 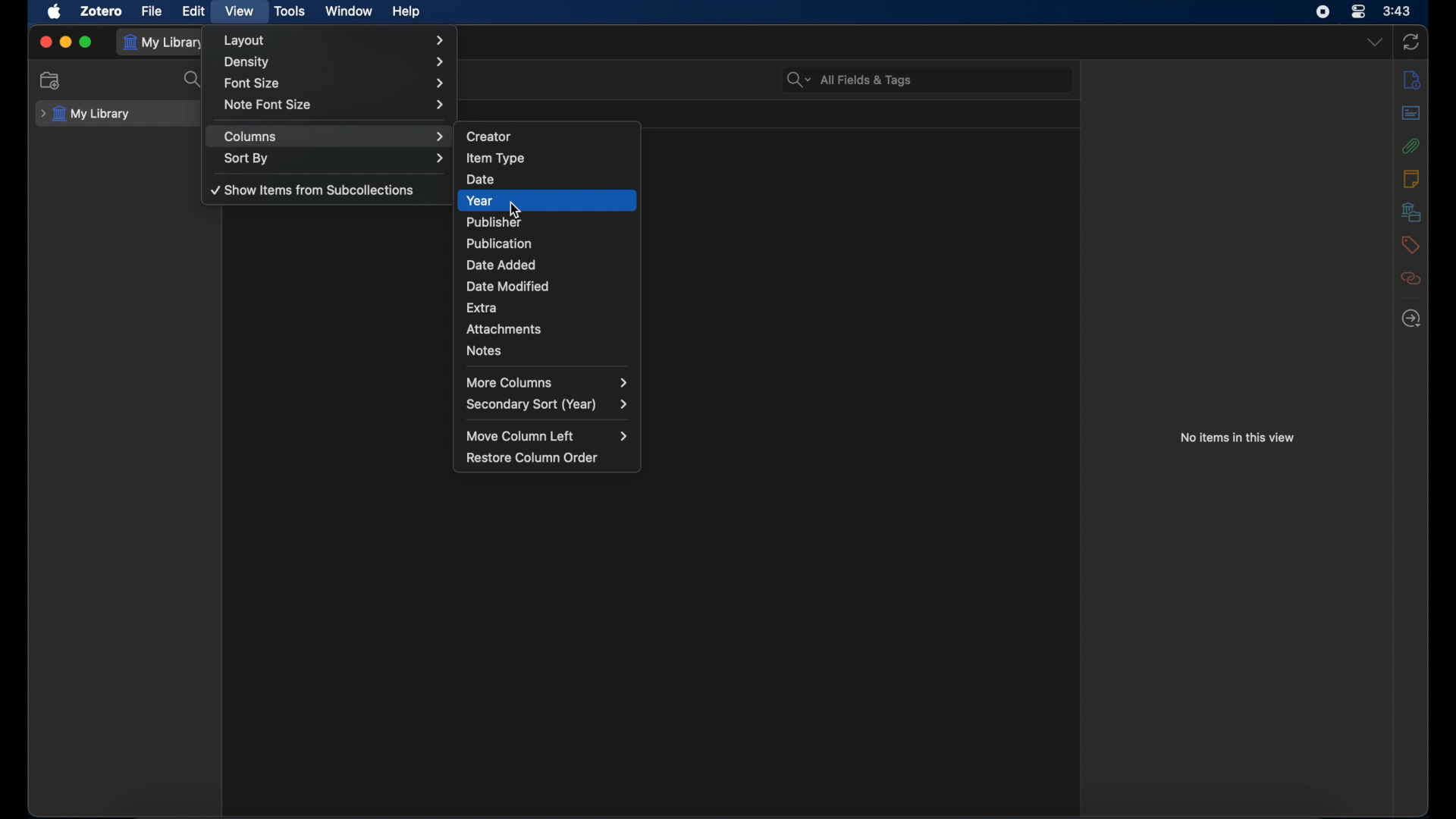 I want to click on item type, so click(x=550, y=158).